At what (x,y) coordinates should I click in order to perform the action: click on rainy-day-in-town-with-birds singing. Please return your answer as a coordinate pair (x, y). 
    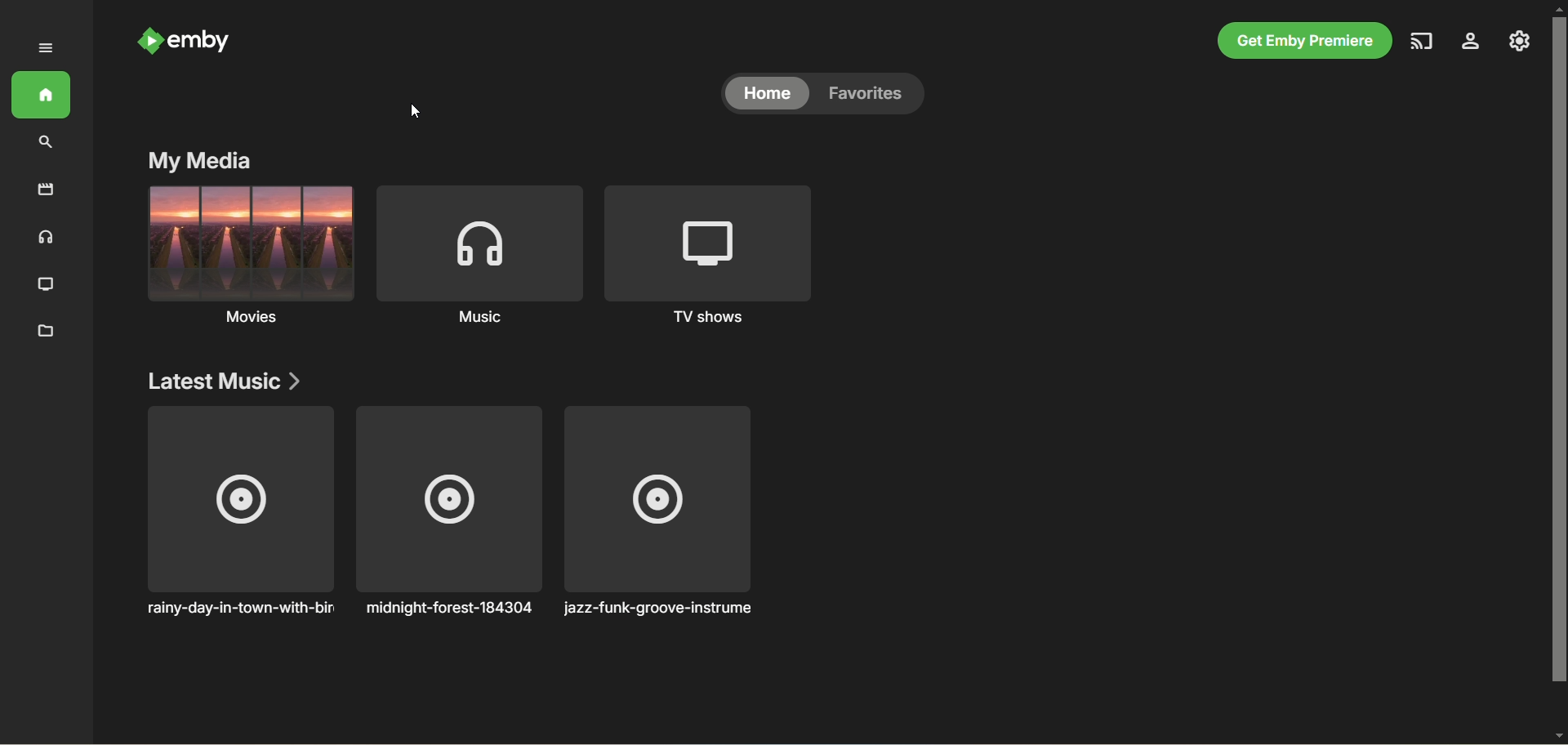
    Looking at the image, I should click on (241, 515).